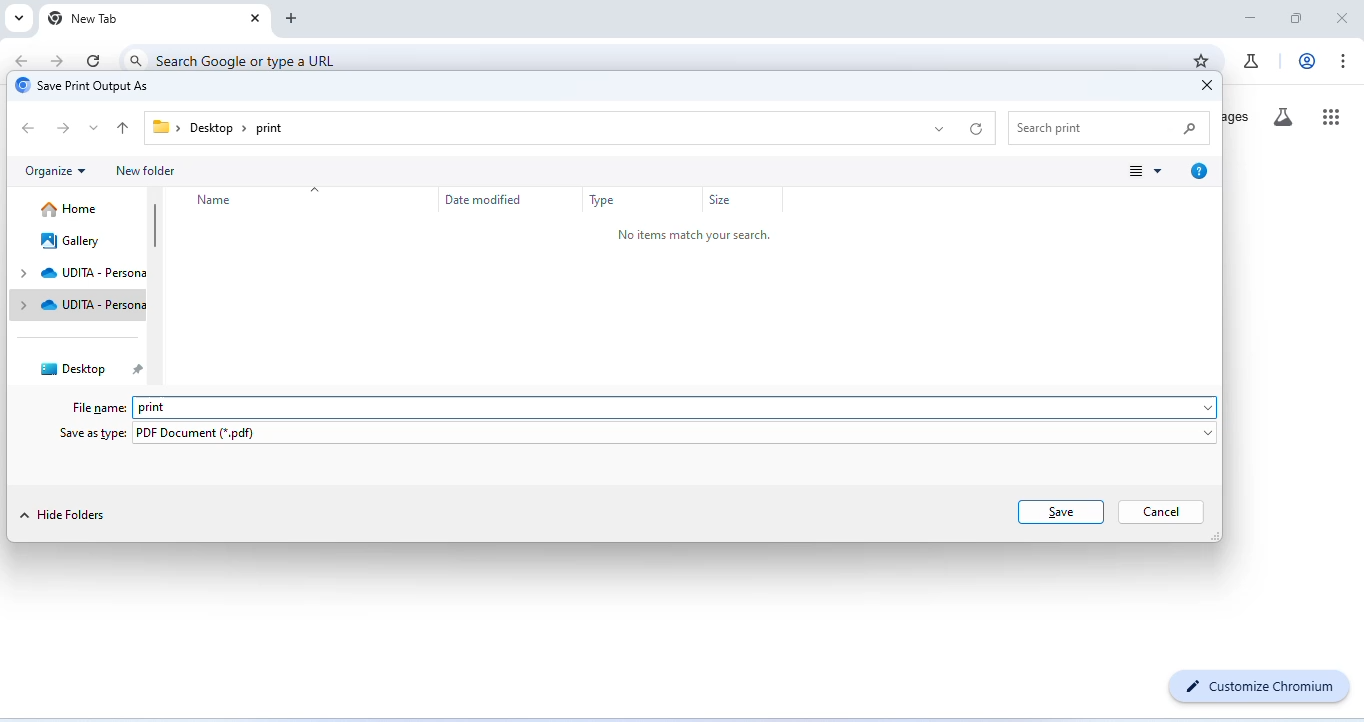 The image size is (1364, 722). Describe the element at coordinates (85, 369) in the screenshot. I see `desktop` at that location.